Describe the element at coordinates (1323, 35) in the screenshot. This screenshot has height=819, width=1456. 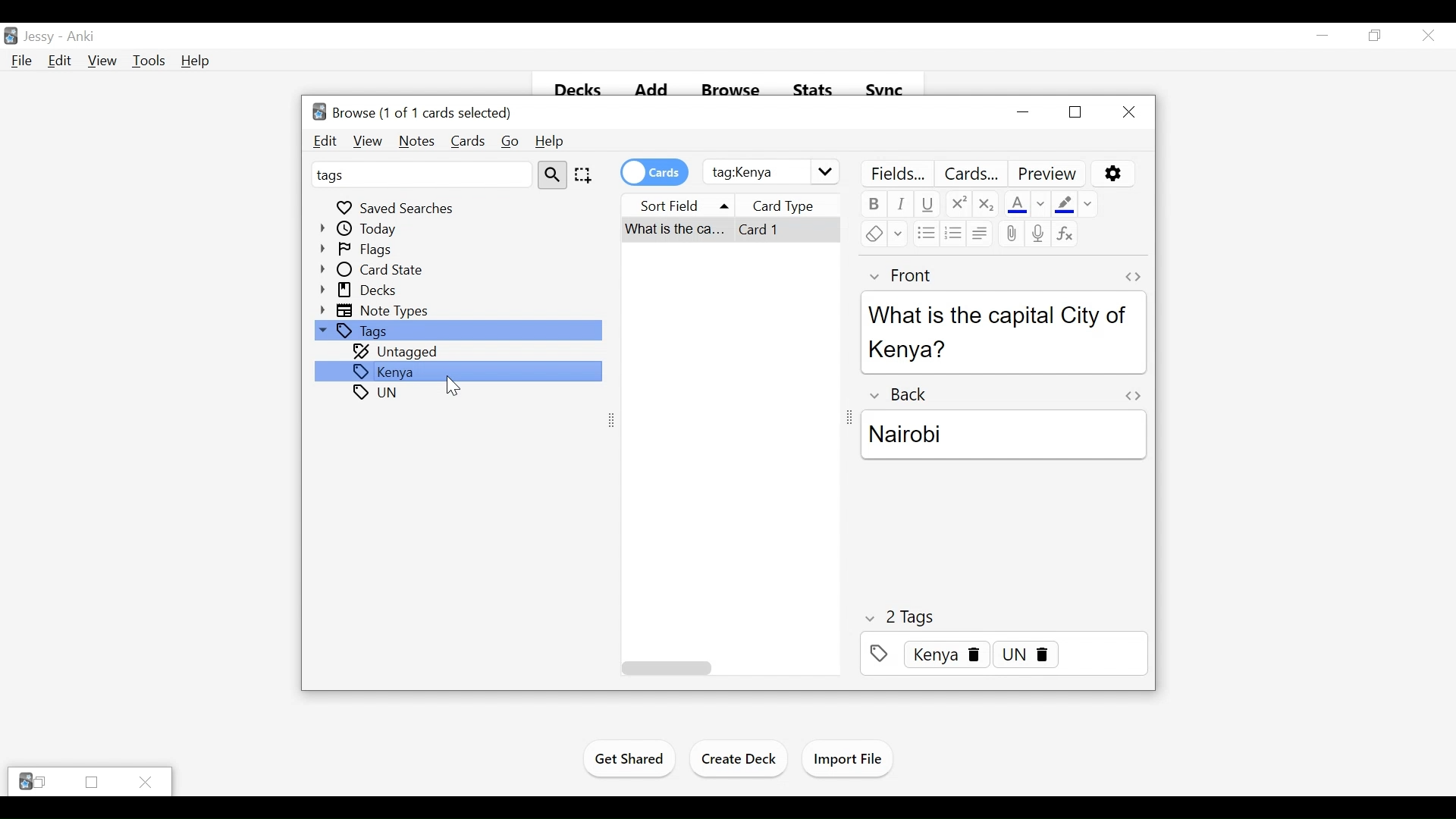
I see `minimize` at that location.